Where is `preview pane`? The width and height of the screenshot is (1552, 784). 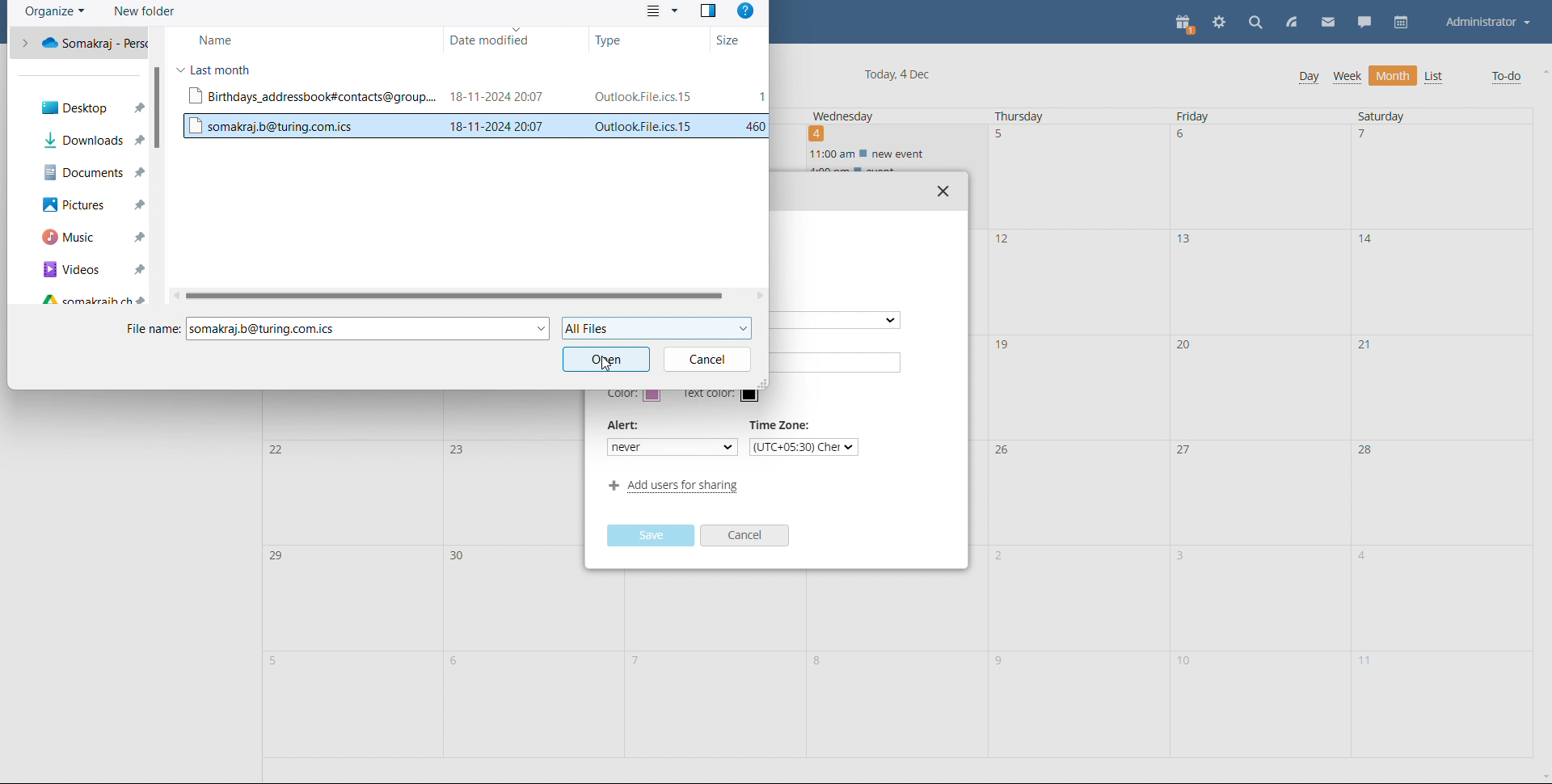
preview pane is located at coordinates (707, 11).